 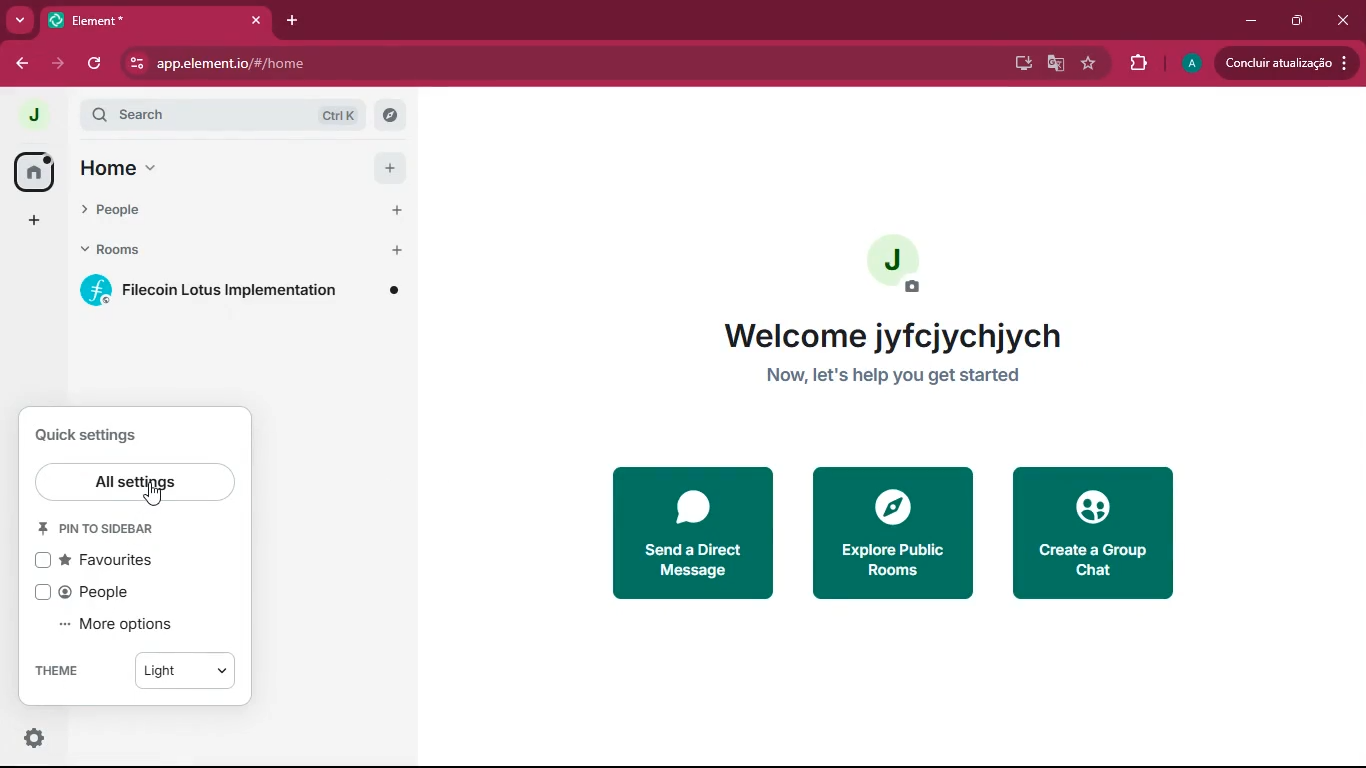 I want to click on close, so click(x=256, y=20).